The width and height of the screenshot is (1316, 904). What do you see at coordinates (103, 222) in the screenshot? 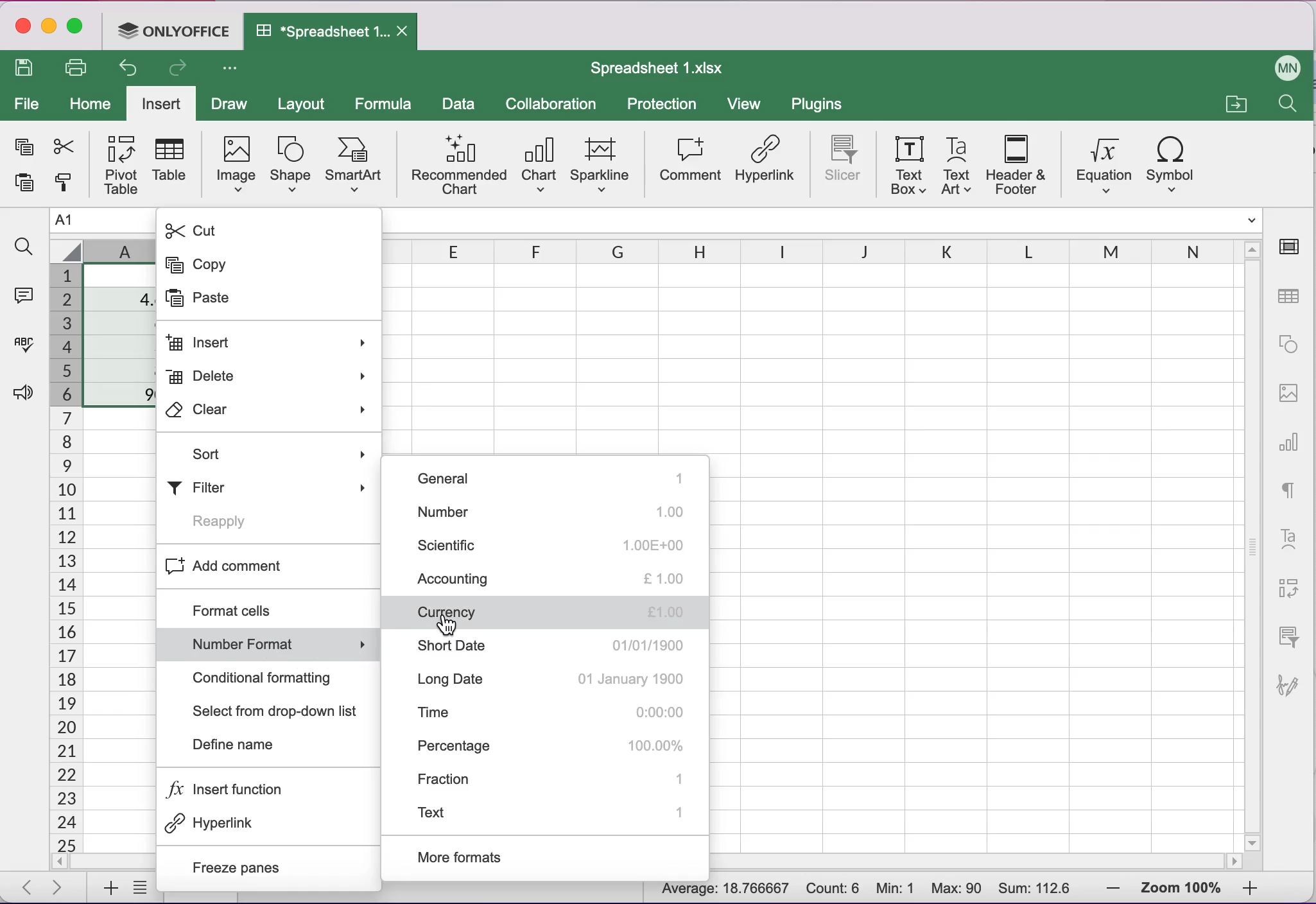
I see `Name manager A1` at bounding box center [103, 222].